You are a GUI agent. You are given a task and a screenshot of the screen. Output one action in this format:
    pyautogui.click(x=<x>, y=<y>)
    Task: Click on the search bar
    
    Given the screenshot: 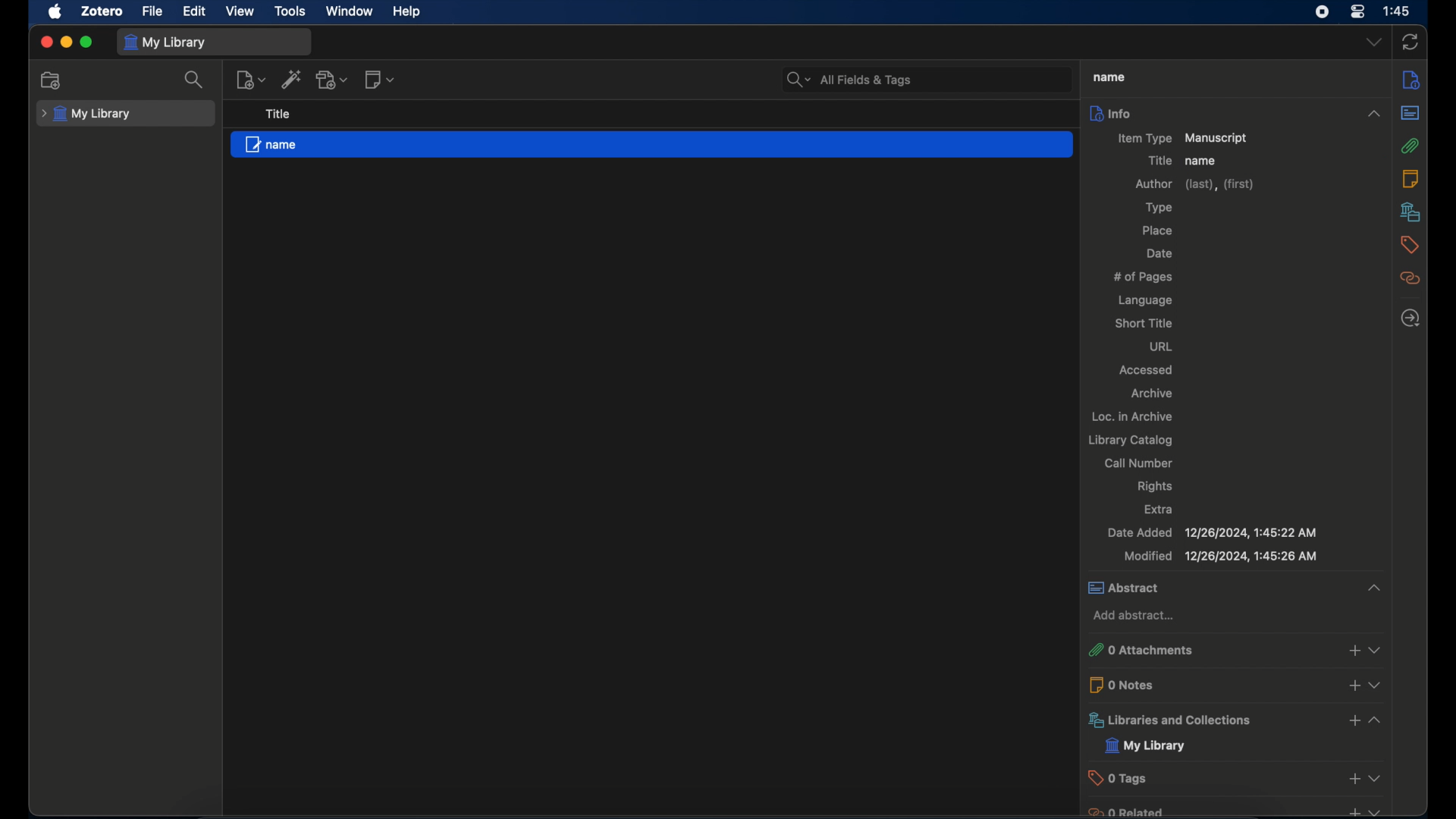 What is the action you would take?
    pyautogui.click(x=849, y=80)
    